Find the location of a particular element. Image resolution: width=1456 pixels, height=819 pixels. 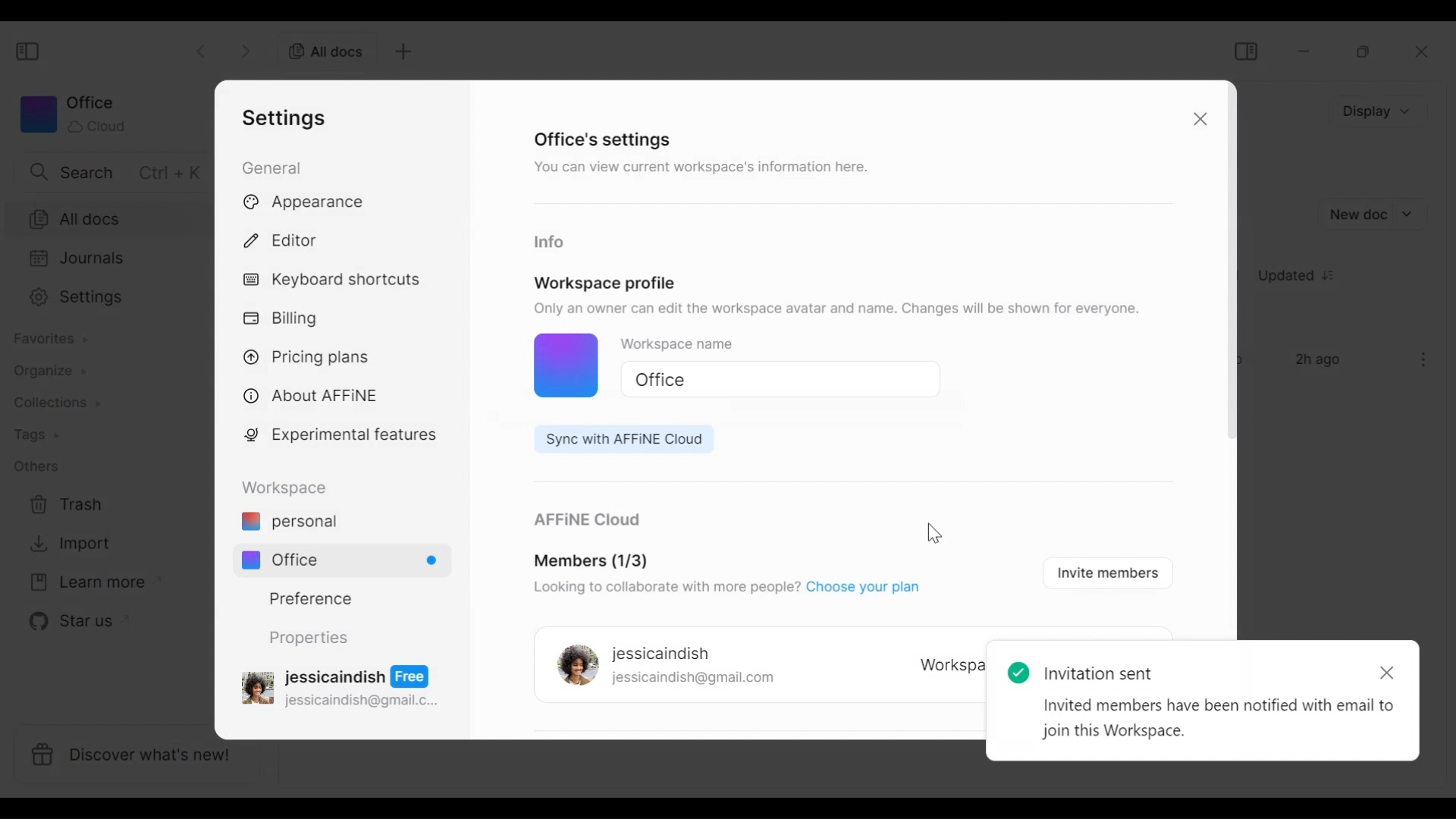

Others is located at coordinates (36, 466).